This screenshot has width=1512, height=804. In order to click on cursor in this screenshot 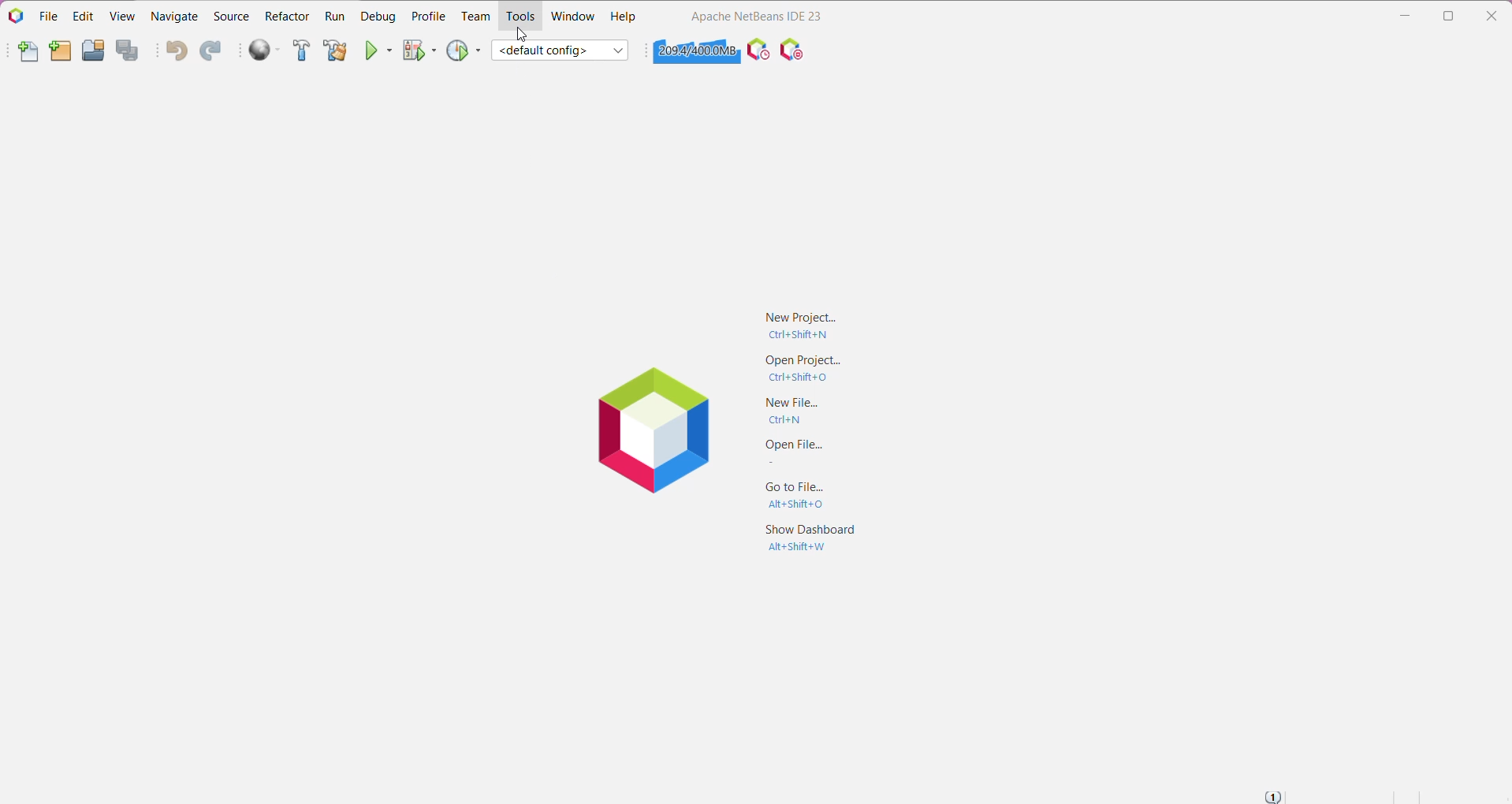, I will do `click(523, 32)`.